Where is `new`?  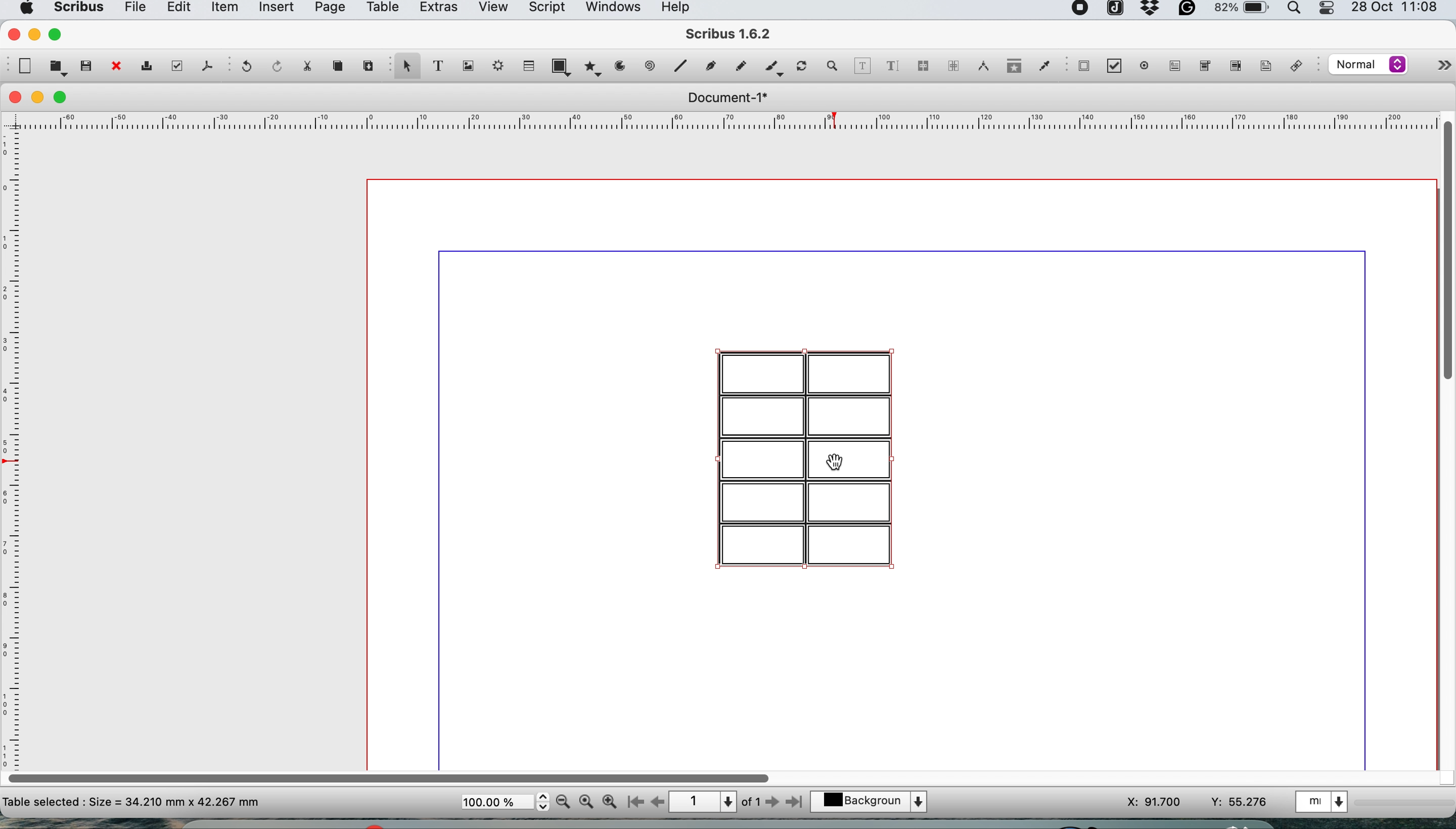
new is located at coordinates (23, 66).